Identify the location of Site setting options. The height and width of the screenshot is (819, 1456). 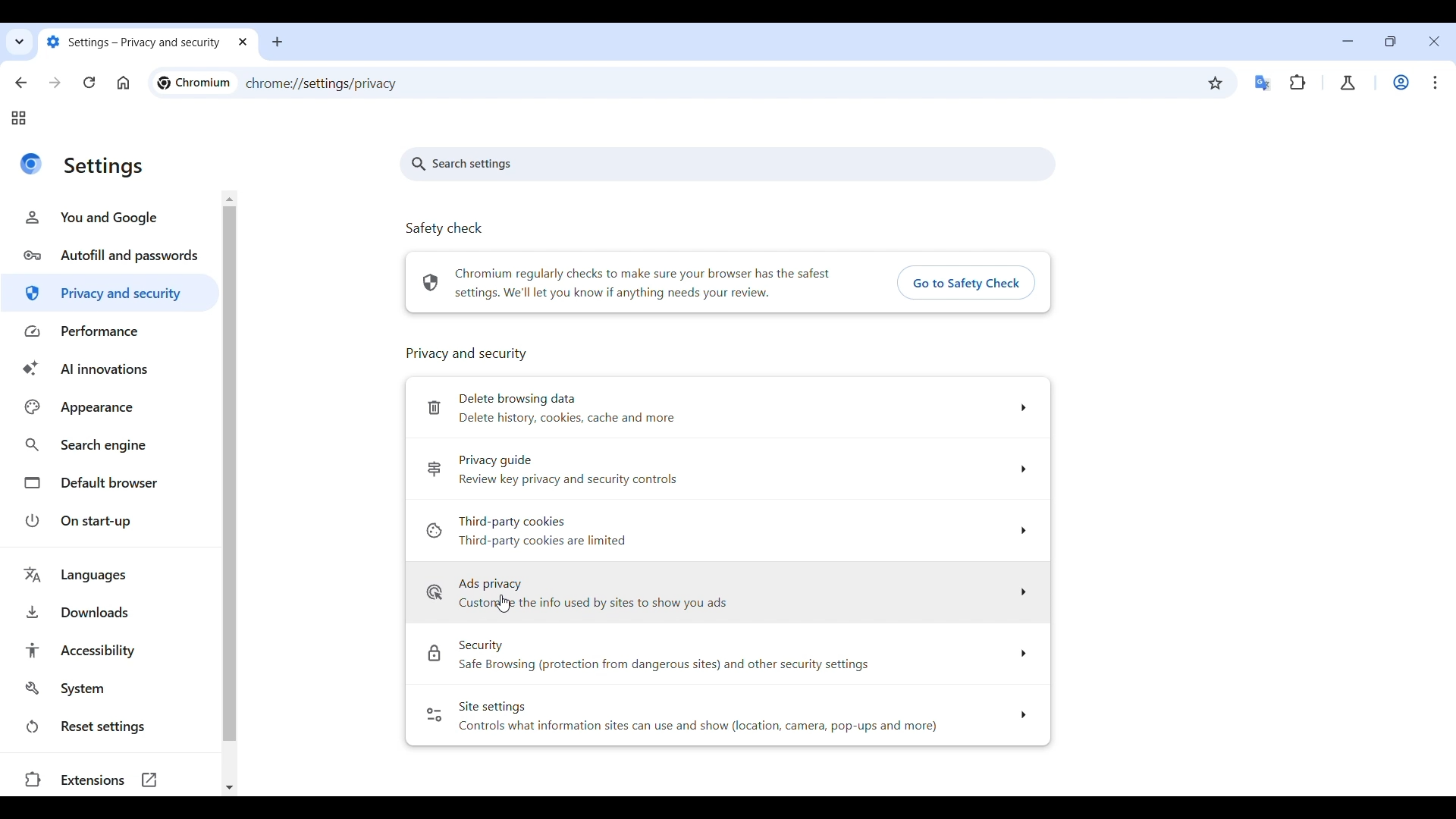
(727, 717).